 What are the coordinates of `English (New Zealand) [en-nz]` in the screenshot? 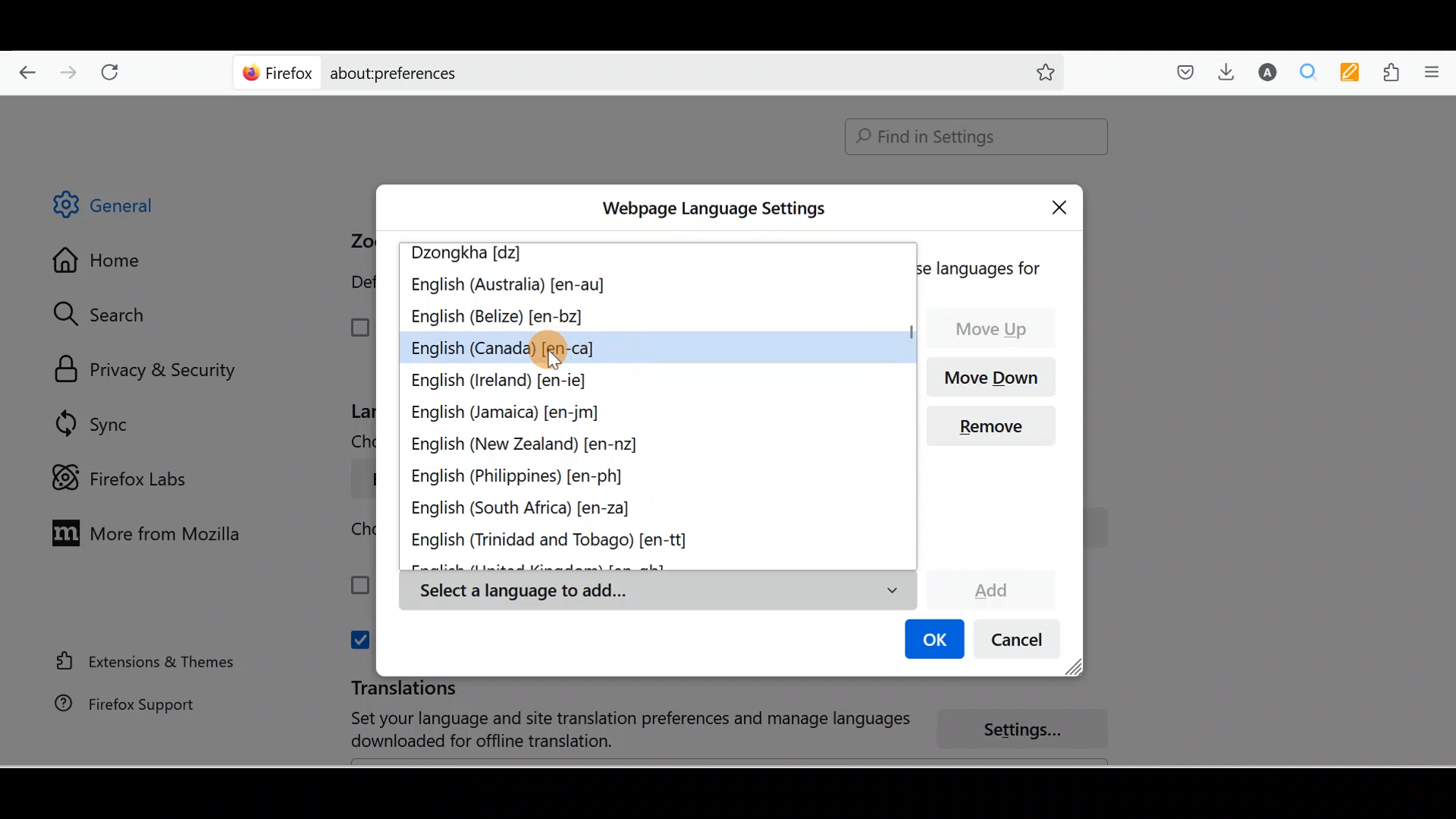 It's located at (529, 445).